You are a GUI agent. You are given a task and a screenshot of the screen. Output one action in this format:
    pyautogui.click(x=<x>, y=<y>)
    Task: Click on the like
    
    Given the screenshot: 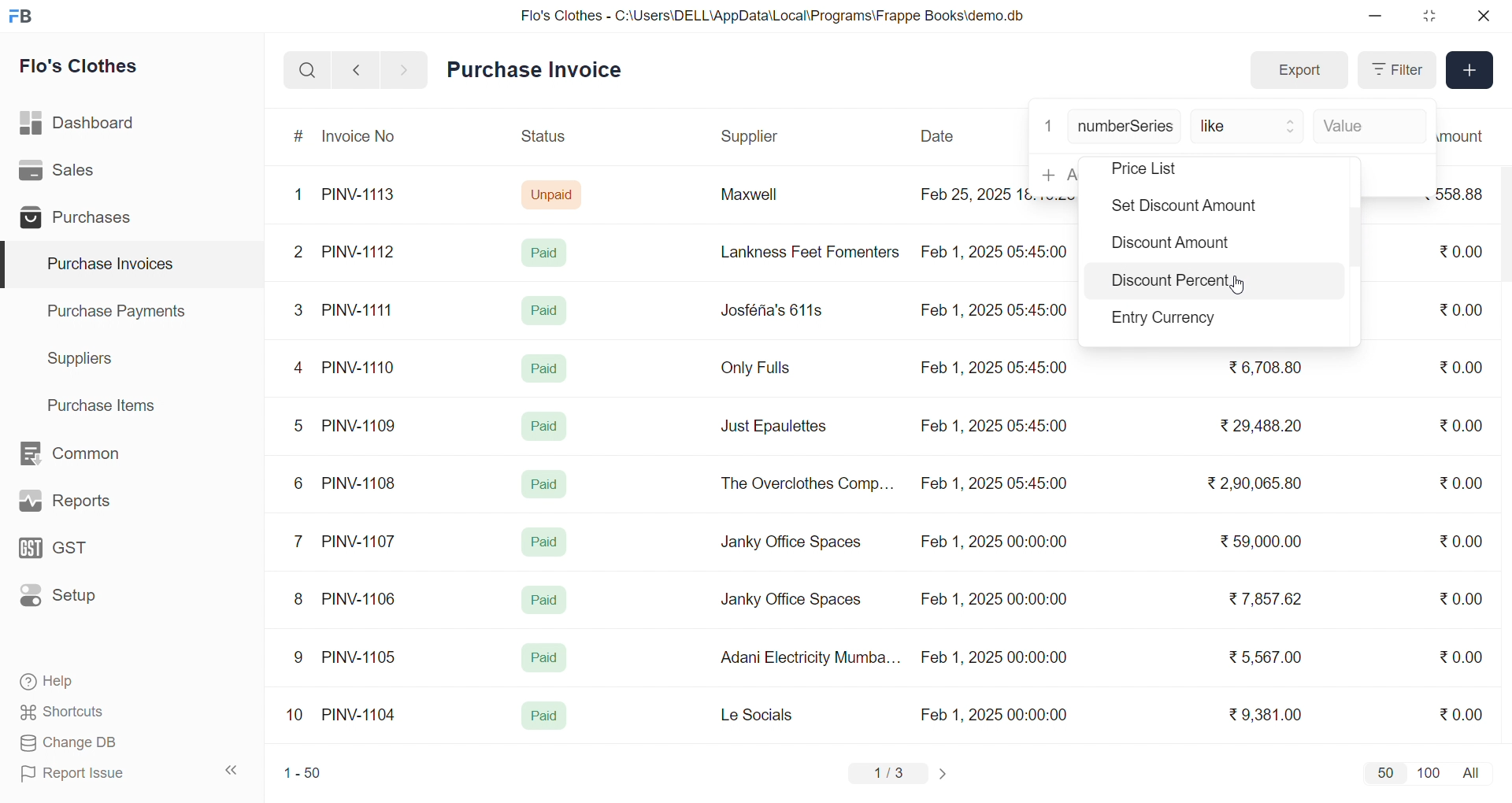 What is the action you would take?
    pyautogui.click(x=1249, y=128)
    